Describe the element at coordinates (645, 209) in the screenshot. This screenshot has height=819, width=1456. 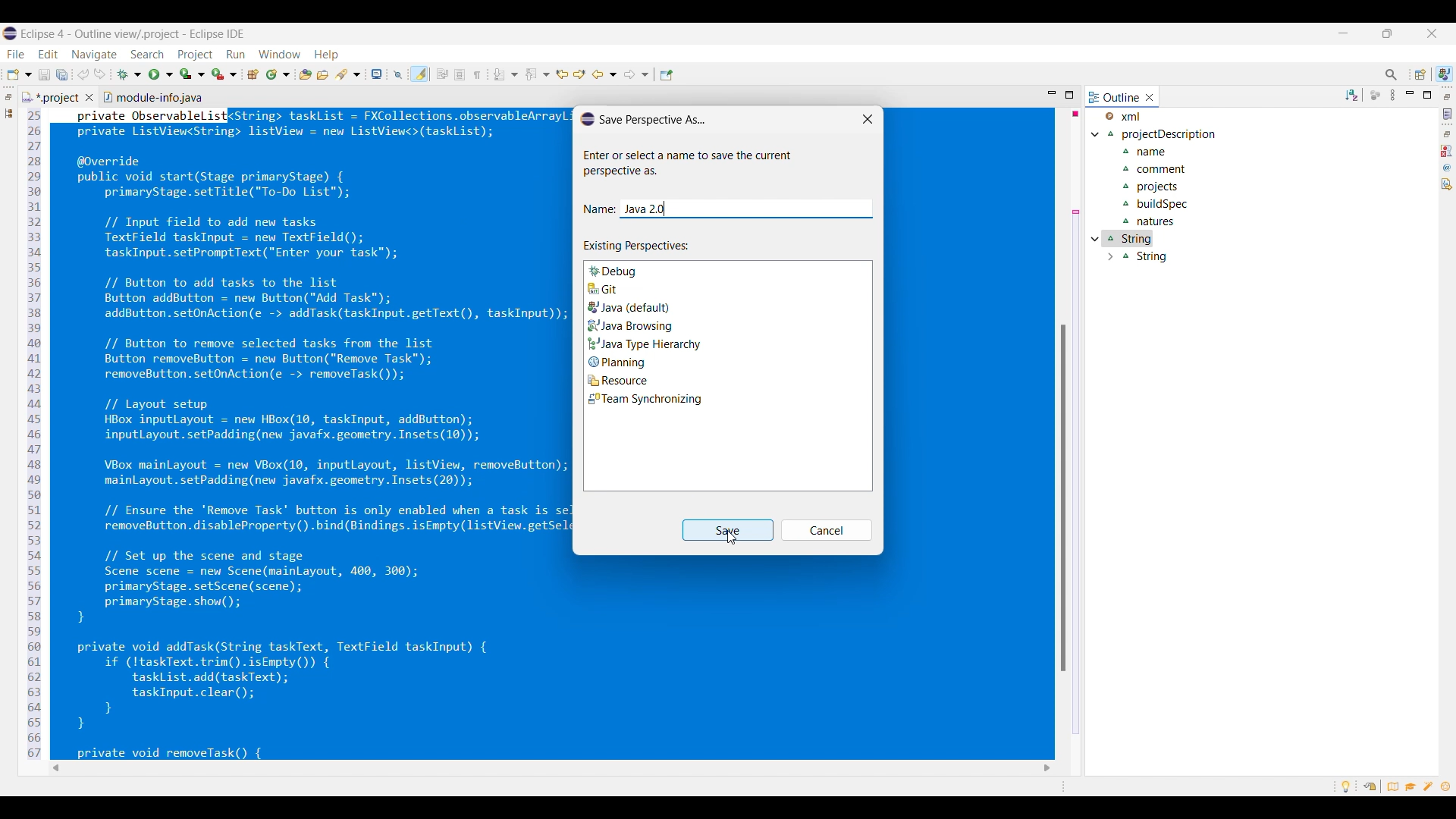
I see `Name of perspective pasted` at that location.